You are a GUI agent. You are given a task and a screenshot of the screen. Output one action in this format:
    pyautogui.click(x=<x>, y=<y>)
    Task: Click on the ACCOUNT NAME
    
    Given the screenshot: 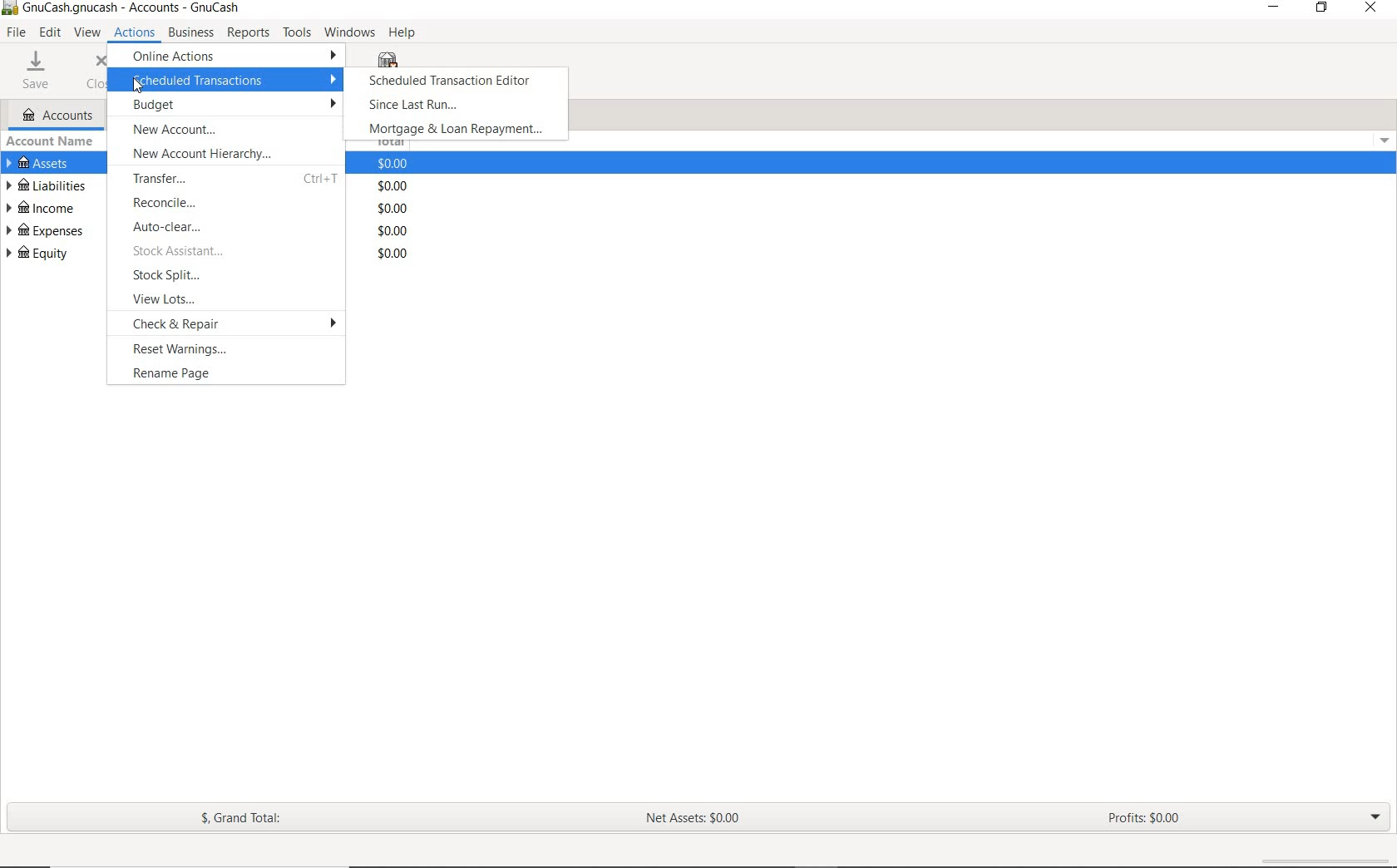 What is the action you would take?
    pyautogui.click(x=54, y=141)
    